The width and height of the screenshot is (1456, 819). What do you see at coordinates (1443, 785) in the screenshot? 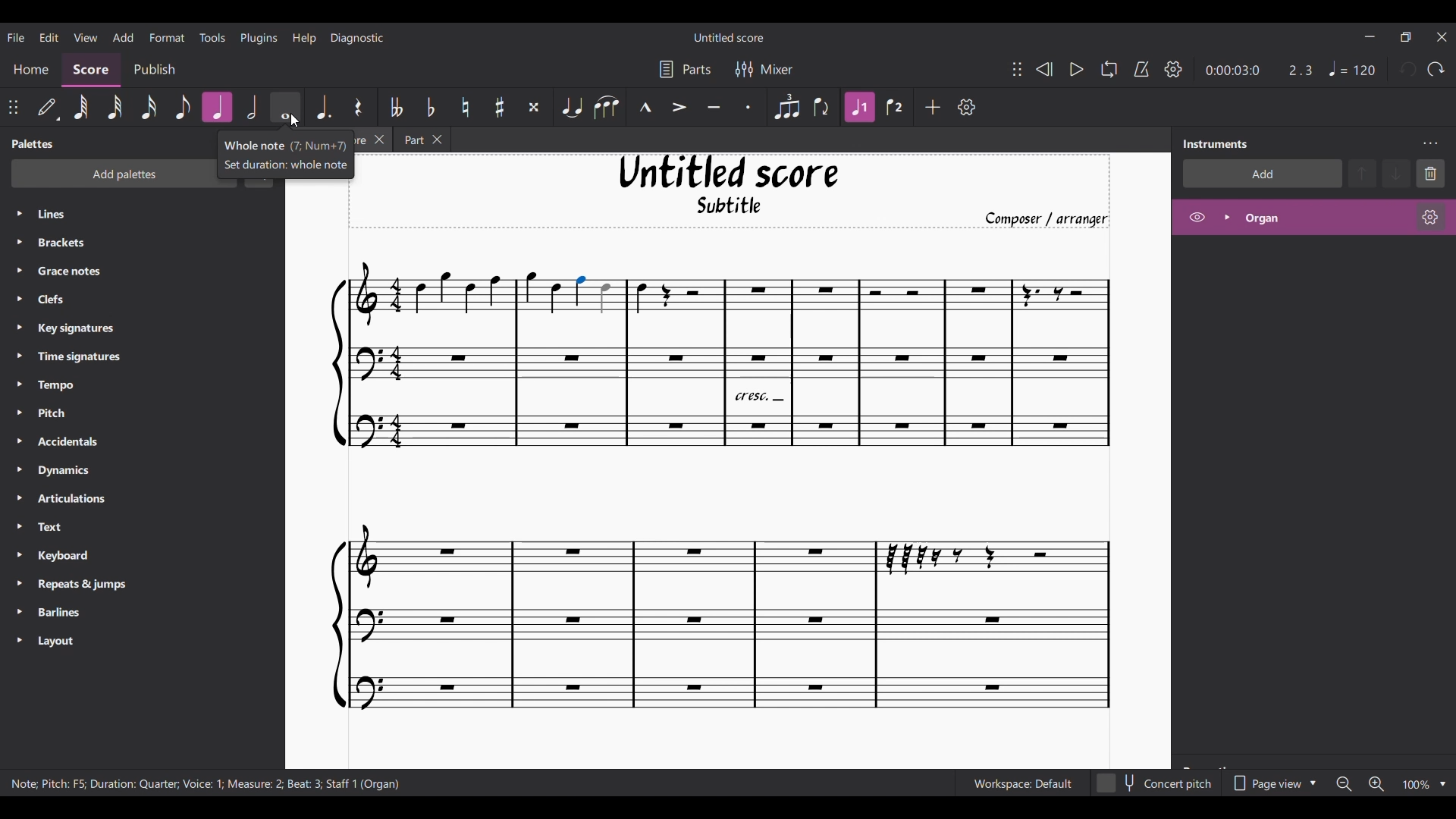
I see `Zoom options` at bounding box center [1443, 785].